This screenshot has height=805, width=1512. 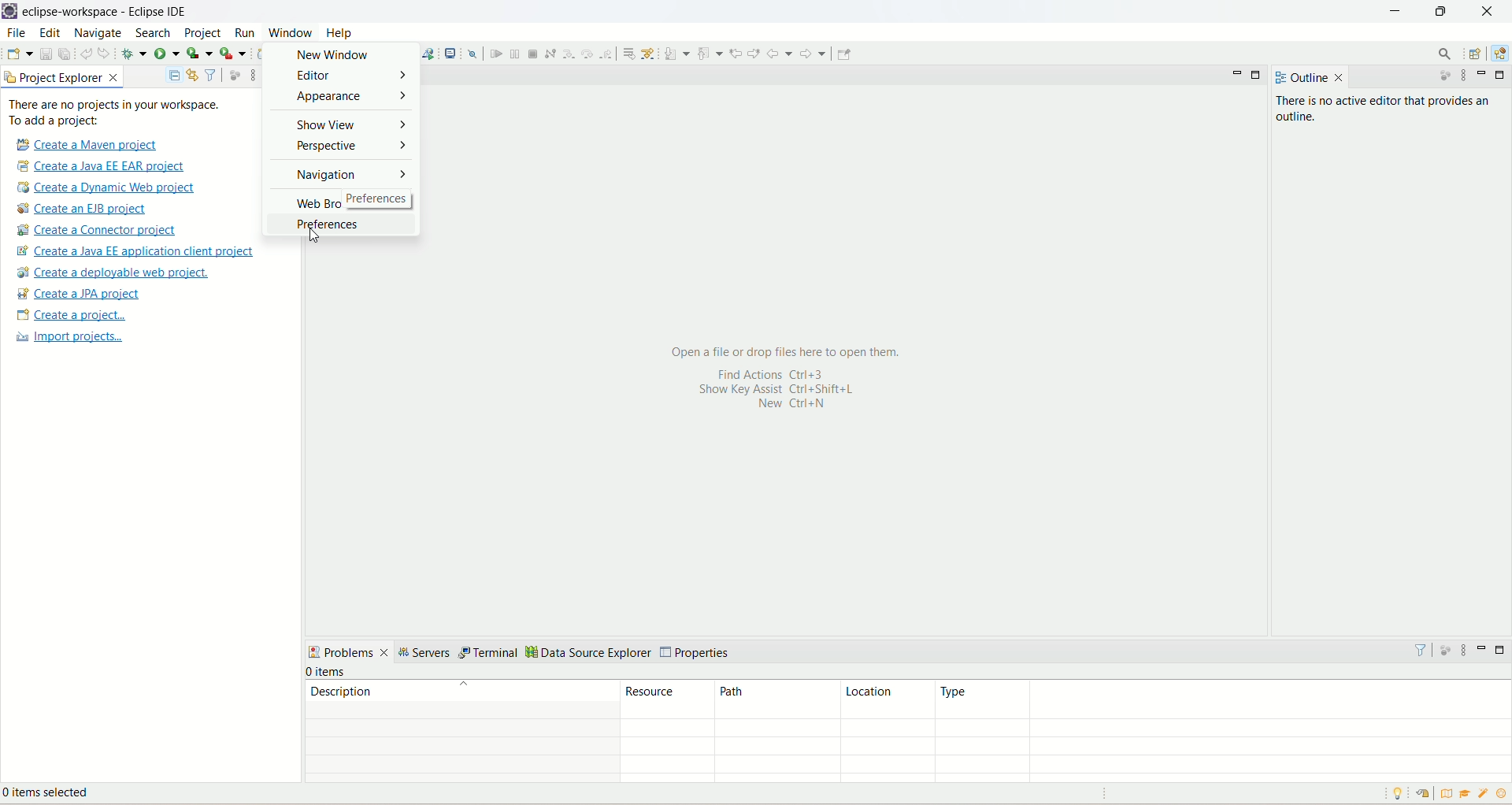 I want to click on tip of the day, so click(x=1502, y=793).